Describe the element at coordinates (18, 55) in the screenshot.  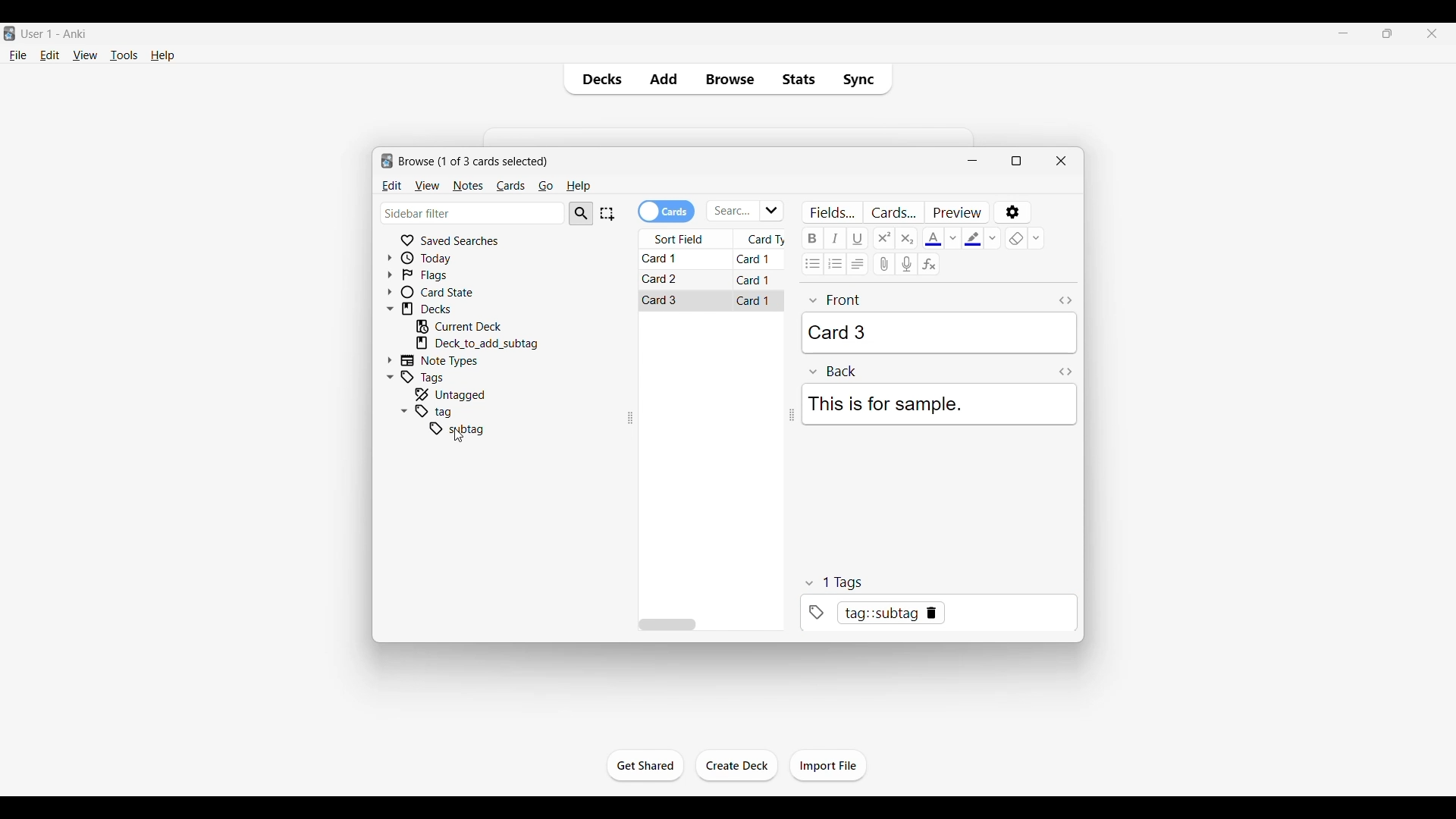
I see `File menu` at that location.